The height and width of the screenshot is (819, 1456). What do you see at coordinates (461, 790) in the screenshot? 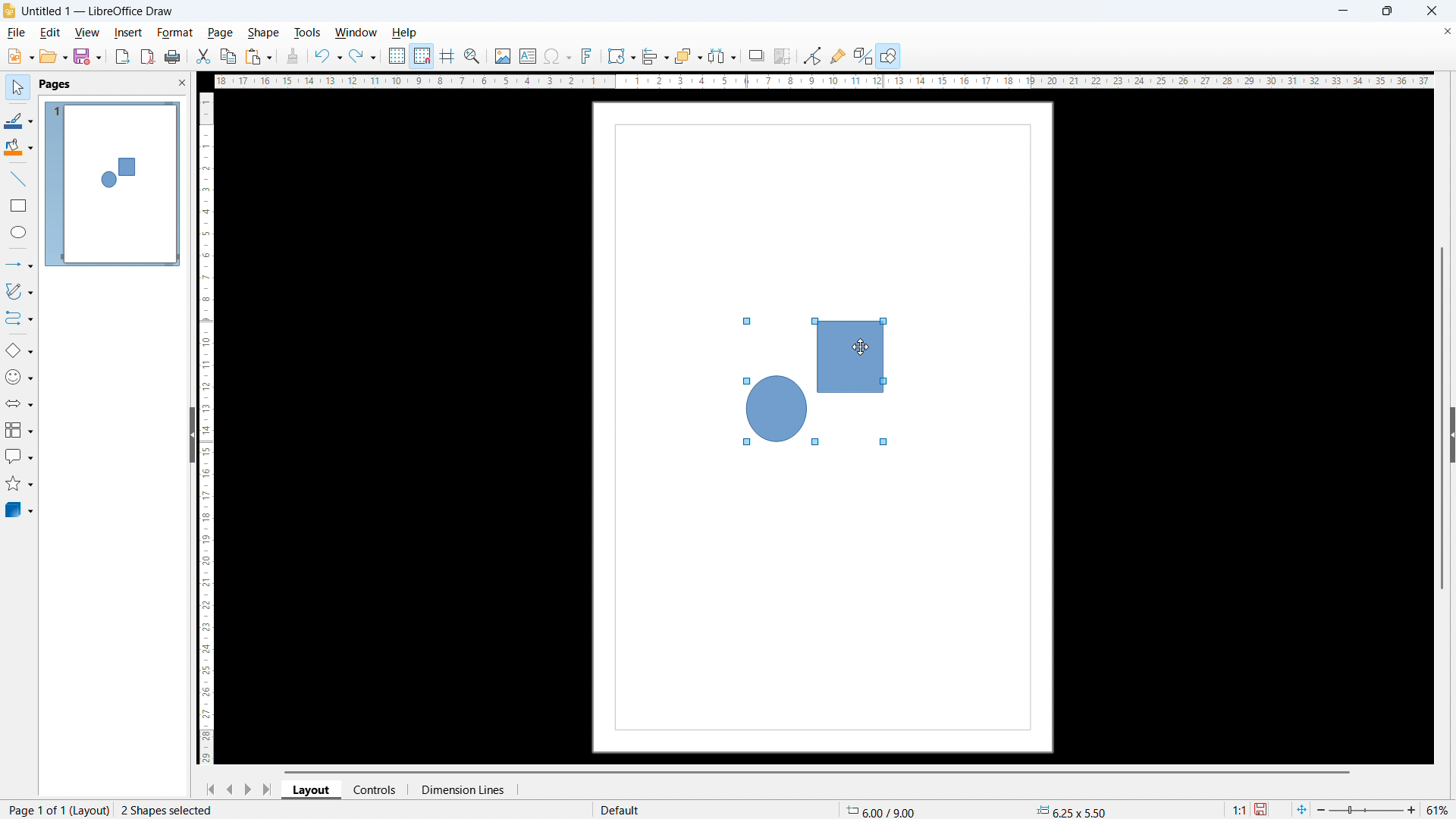
I see `dimension lines` at bounding box center [461, 790].